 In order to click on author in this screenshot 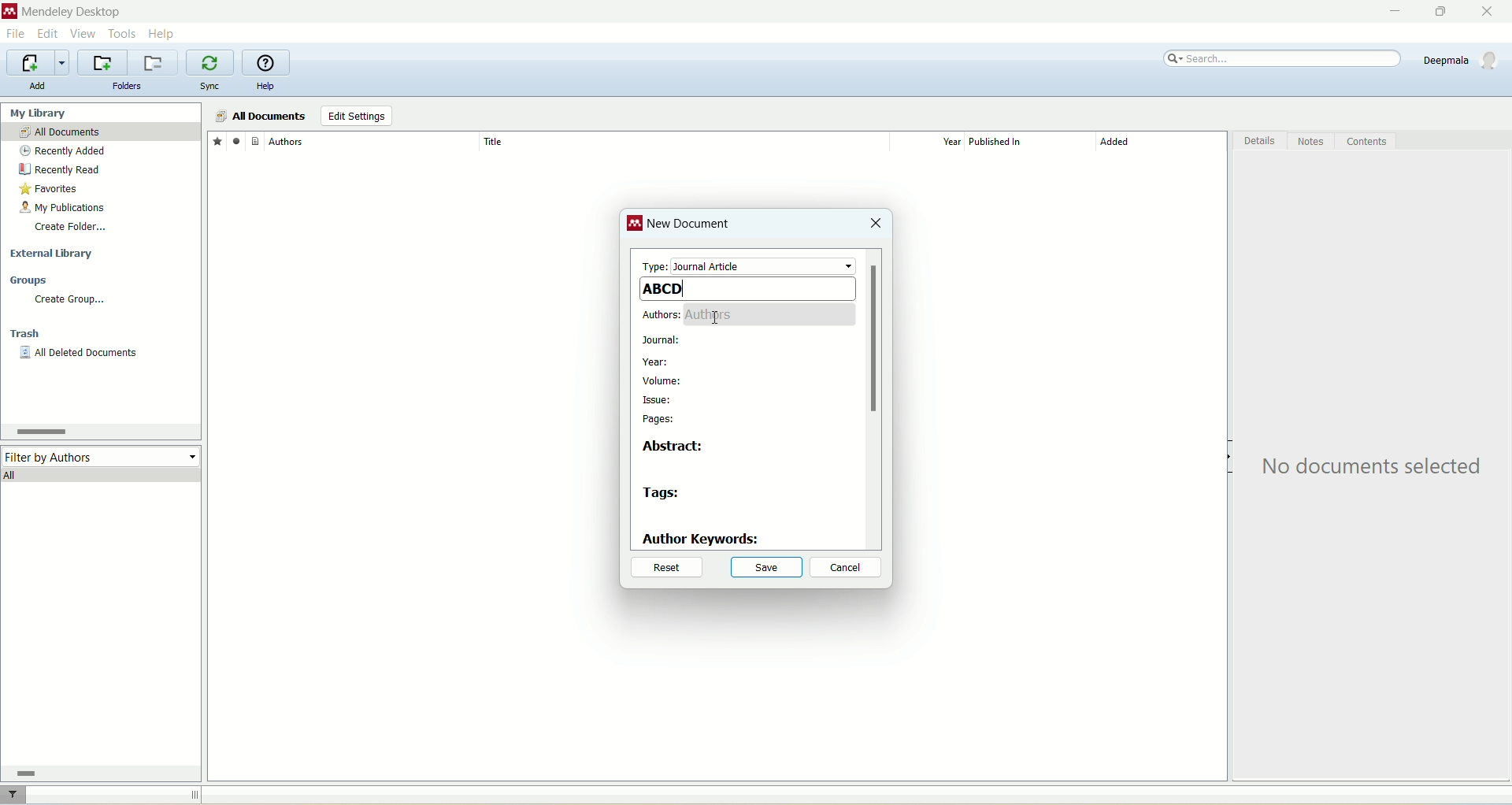, I will do `click(373, 142)`.